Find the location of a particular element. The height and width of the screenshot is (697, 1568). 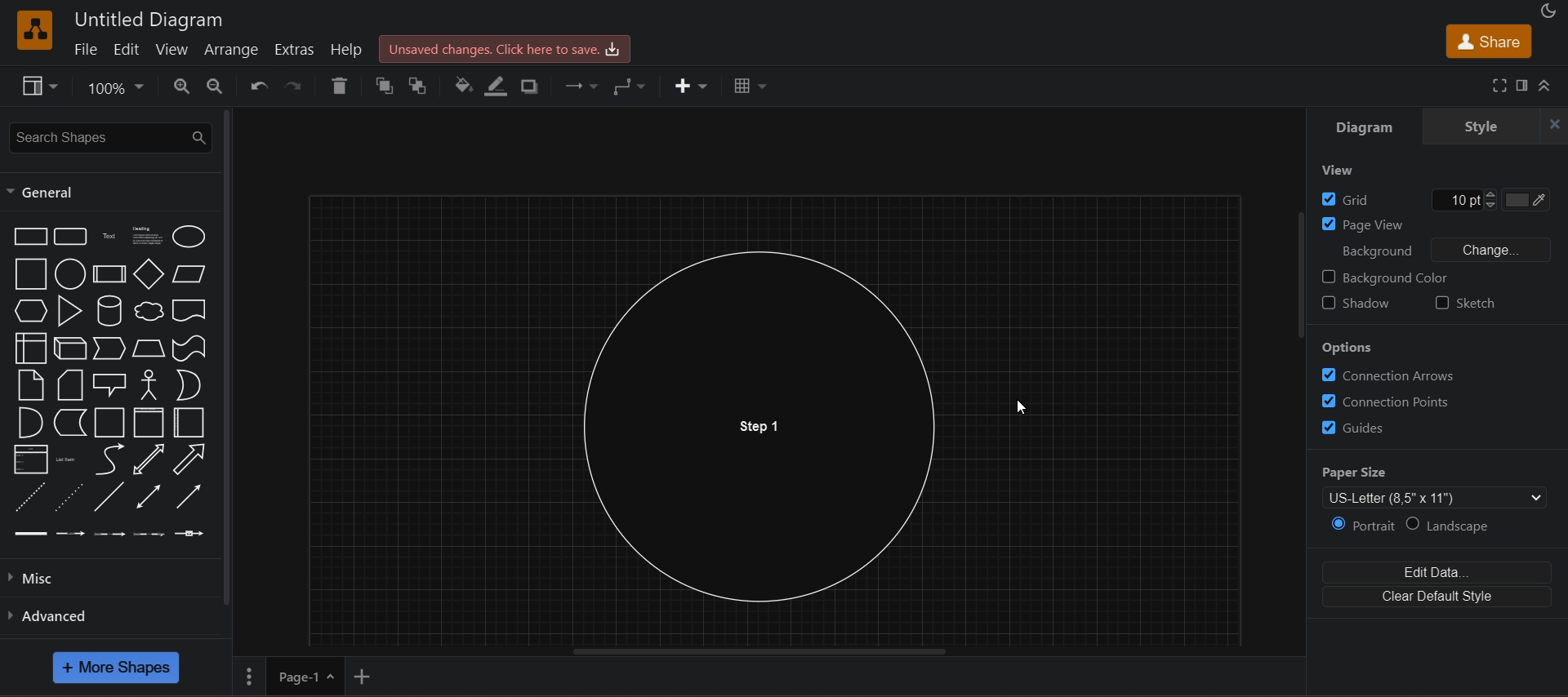

View is located at coordinates (1340, 169).